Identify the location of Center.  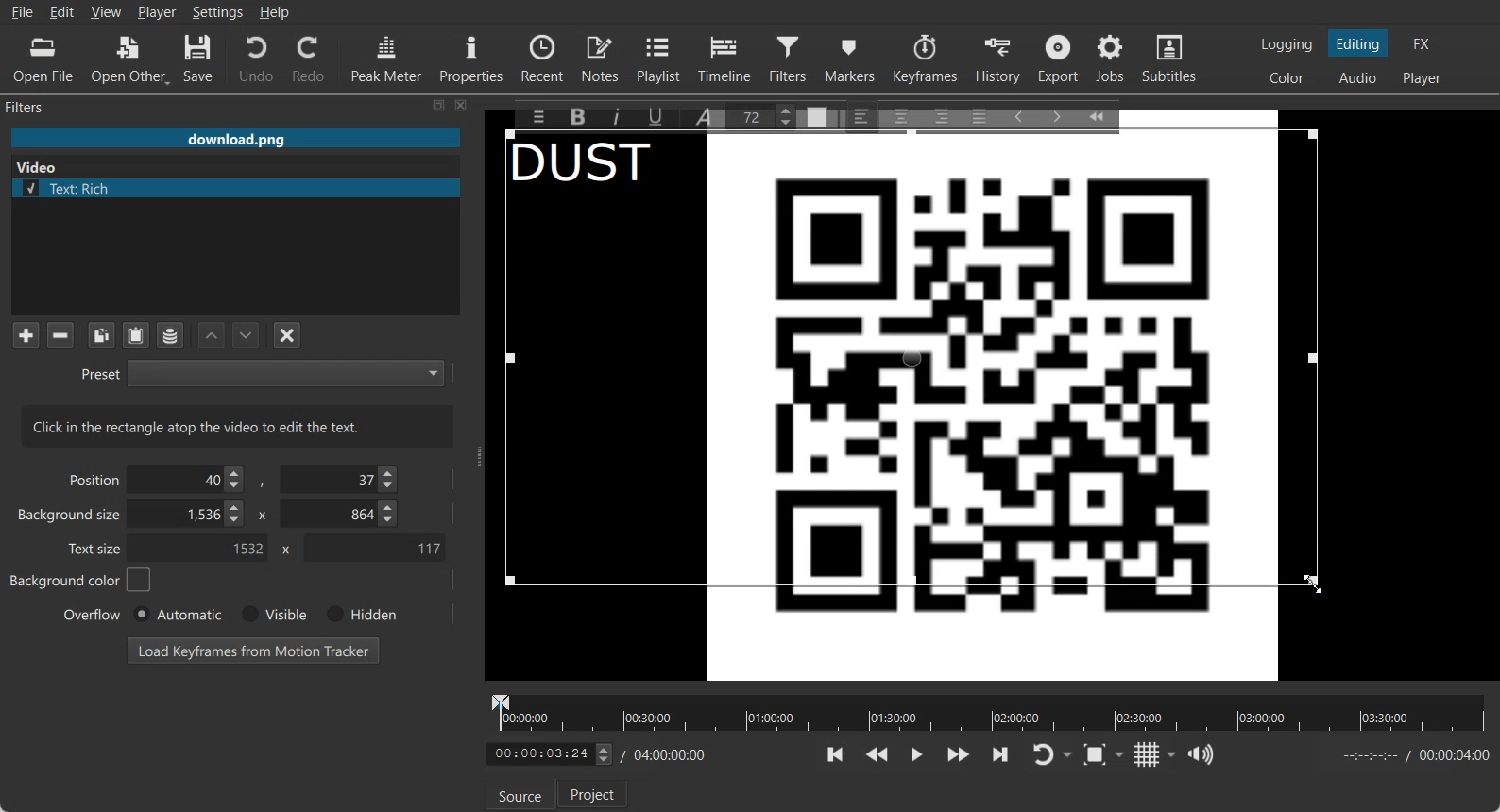
(903, 115).